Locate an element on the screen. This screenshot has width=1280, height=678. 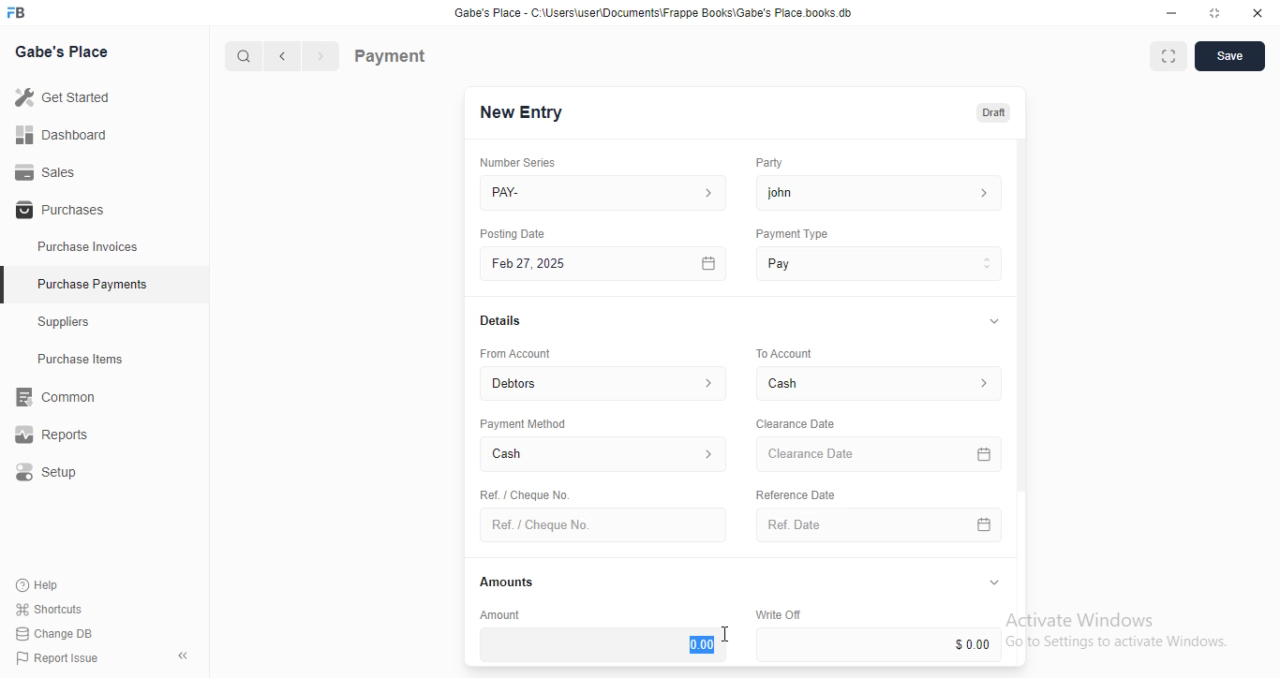
navigate forward is located at coordinates (322, 57).